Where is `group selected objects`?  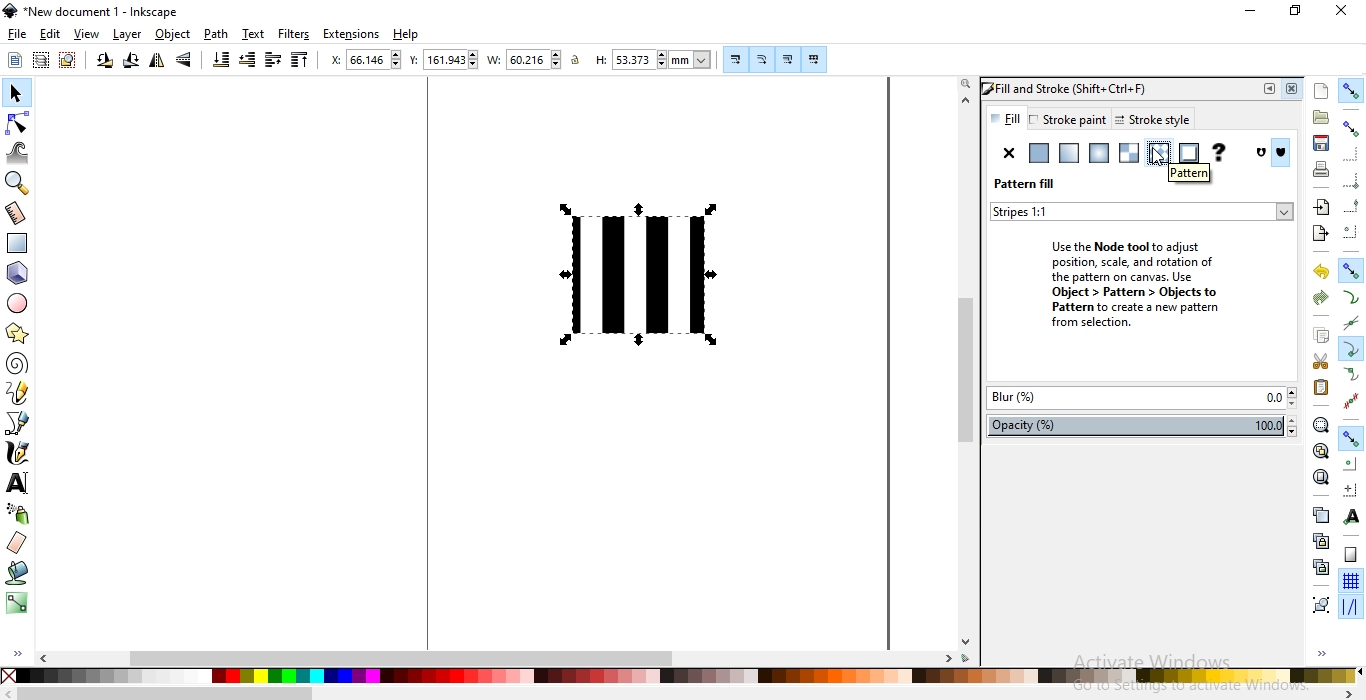
group selected objects is located at coordinates (1319, 604).